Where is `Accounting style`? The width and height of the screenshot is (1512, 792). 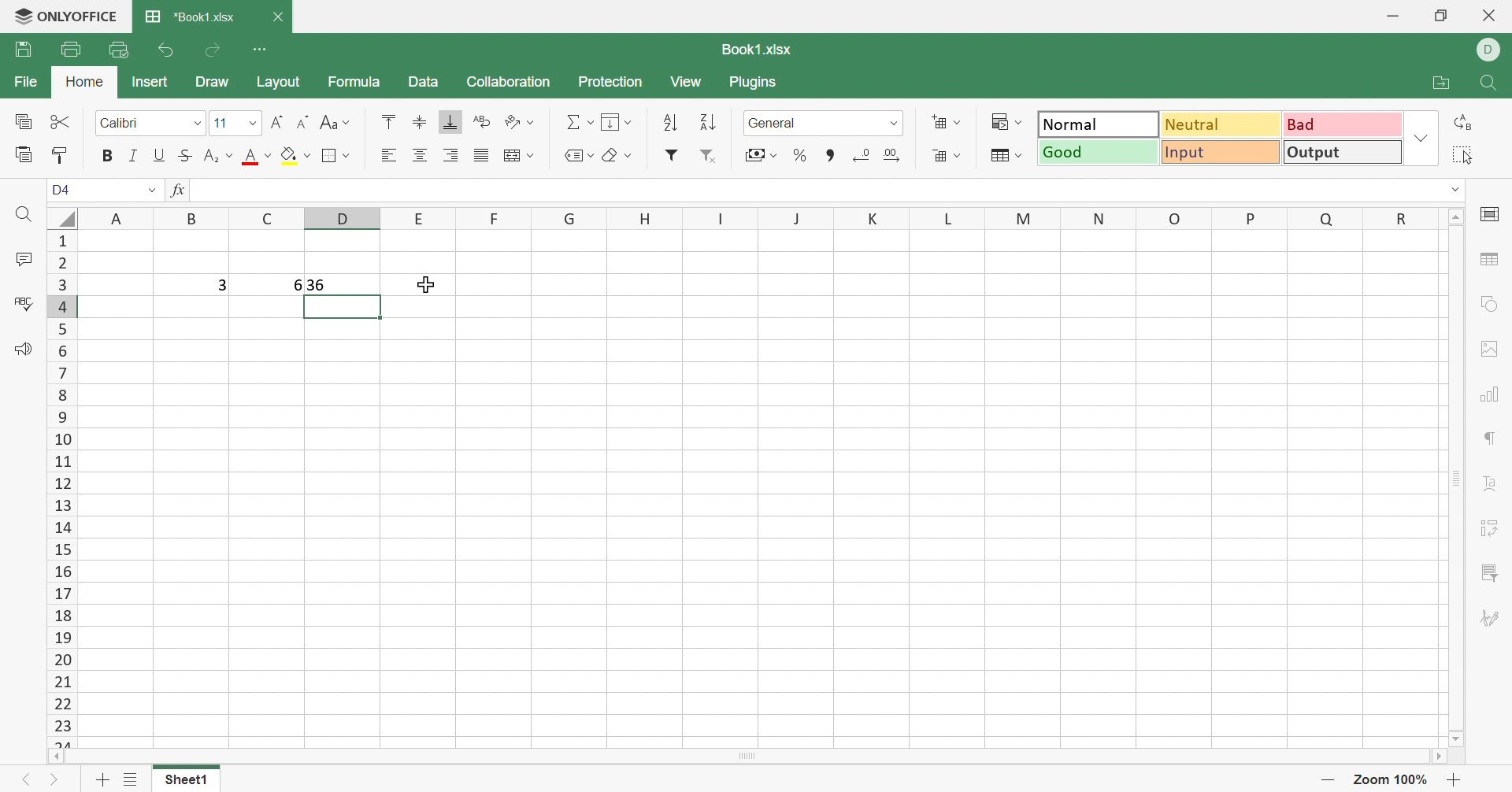
Accounting style is located at coordinates (762, 154).